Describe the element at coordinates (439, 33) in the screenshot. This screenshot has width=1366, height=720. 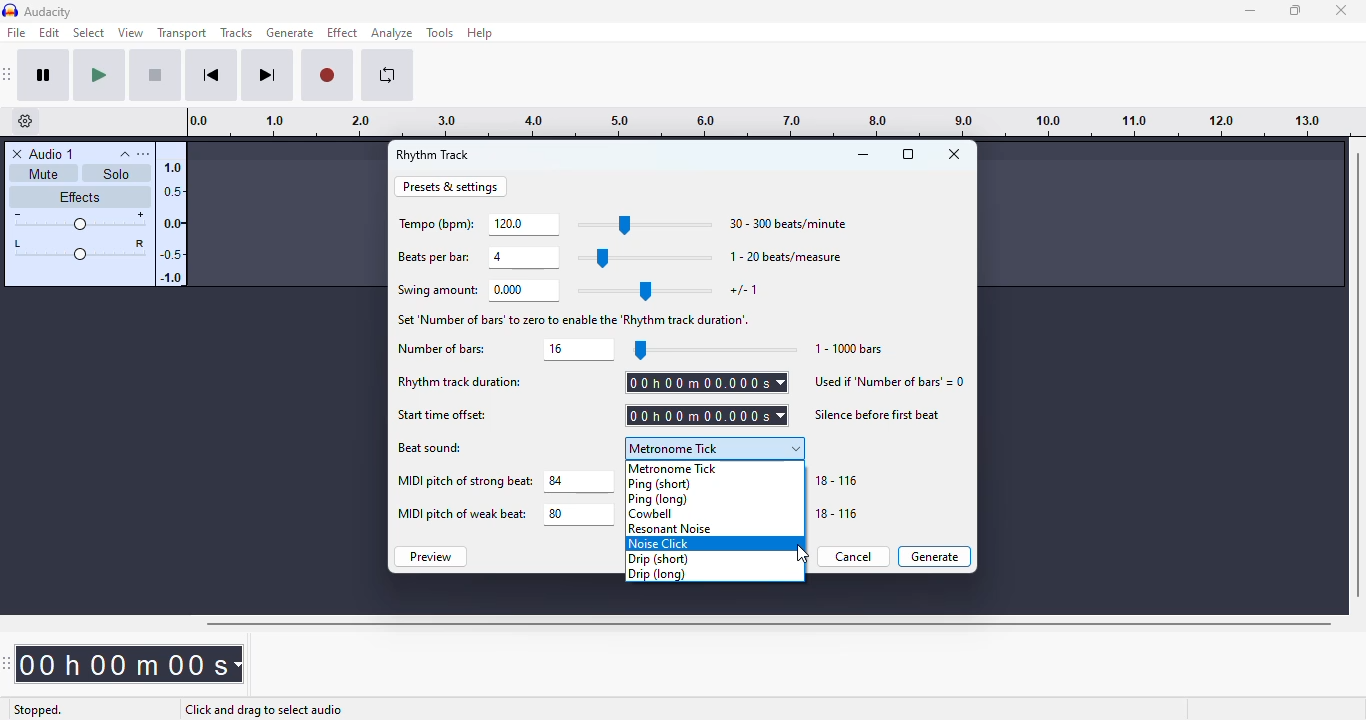
I see `tools` at that location.